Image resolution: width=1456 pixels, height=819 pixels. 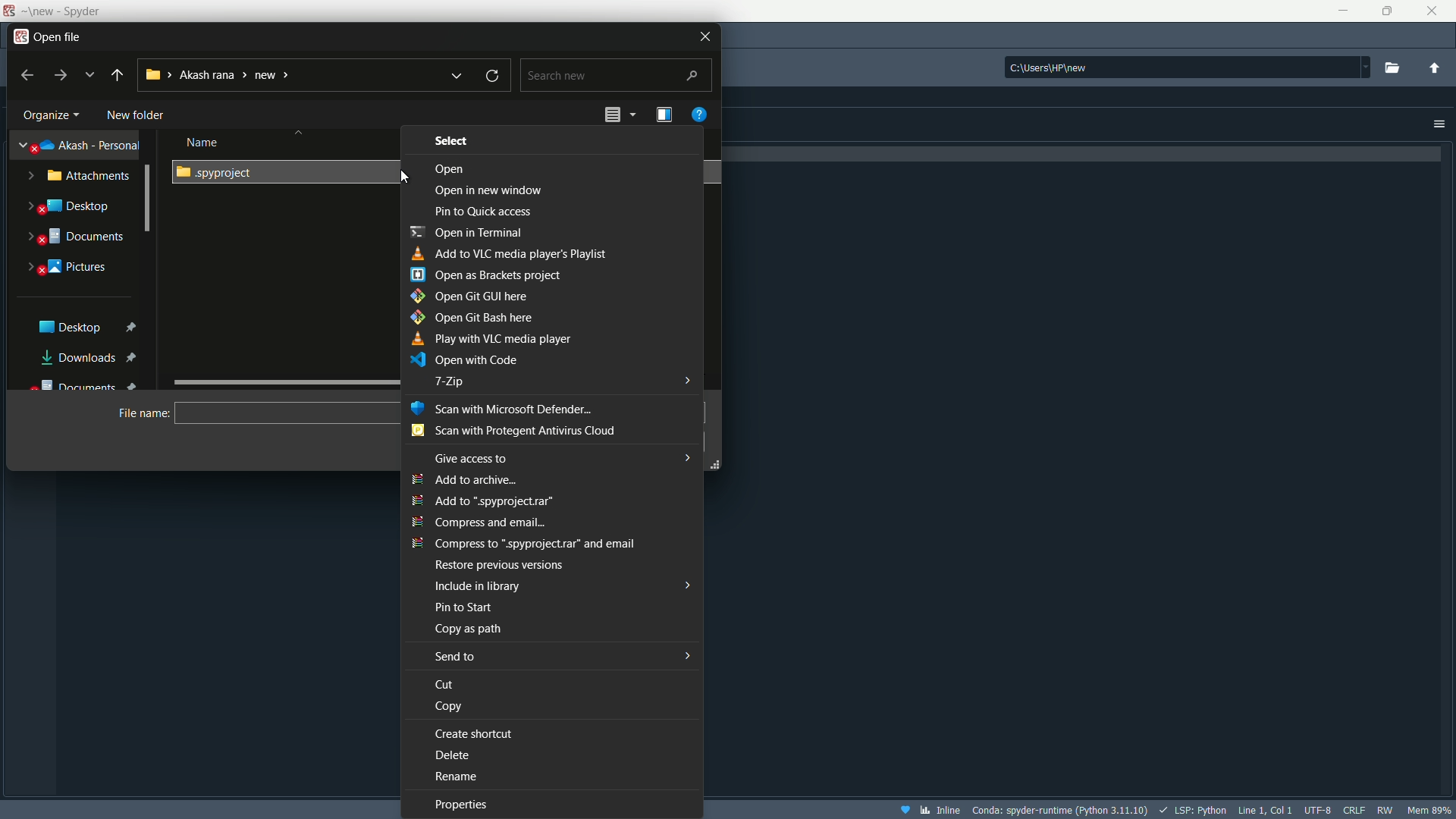 I want to click on Restore to previous version, so click(x=502, y=565).